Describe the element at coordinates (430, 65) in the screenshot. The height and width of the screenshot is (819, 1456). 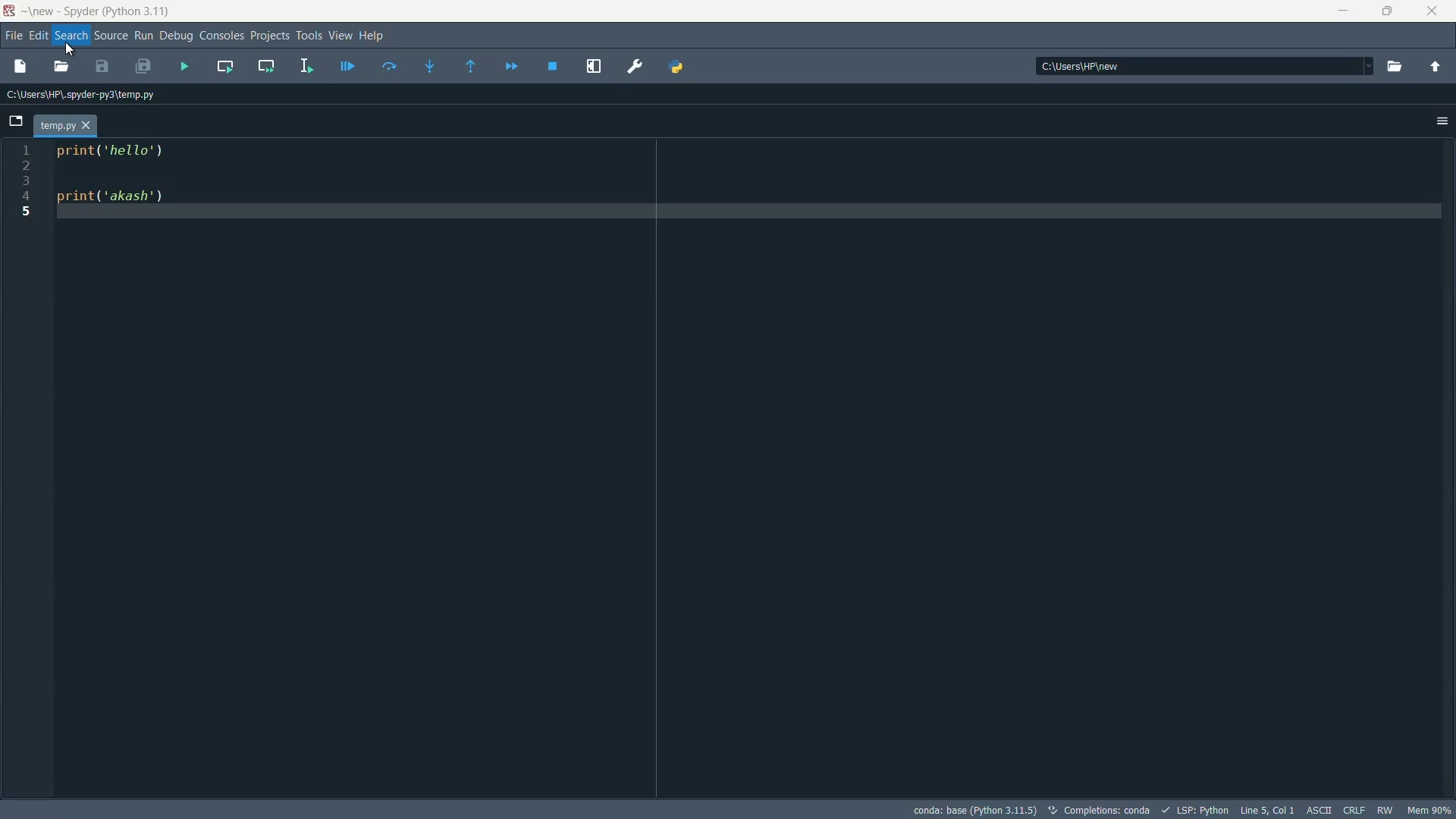
I see `step into function` at that location.